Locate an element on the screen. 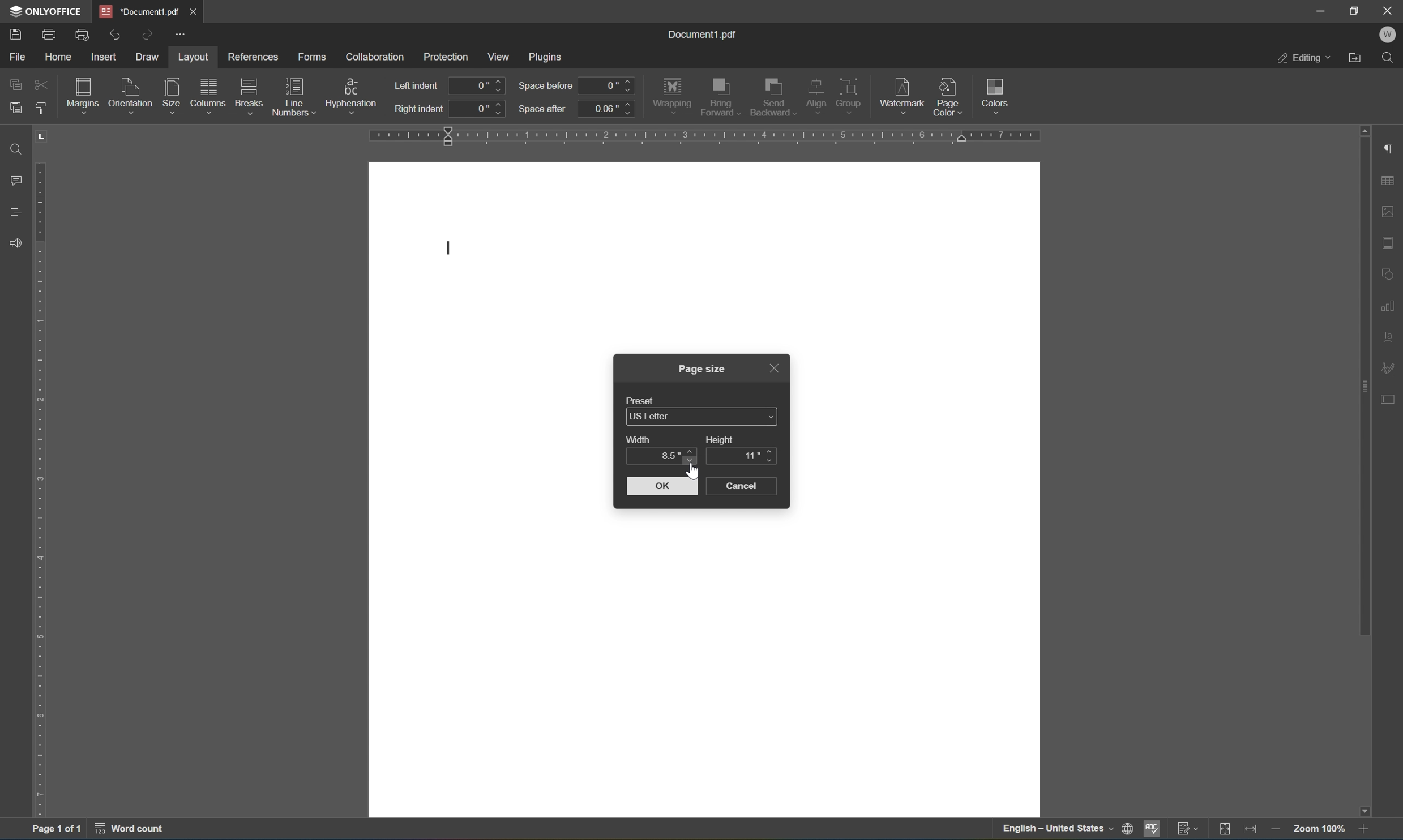  print is located at coordinates (49, 32).